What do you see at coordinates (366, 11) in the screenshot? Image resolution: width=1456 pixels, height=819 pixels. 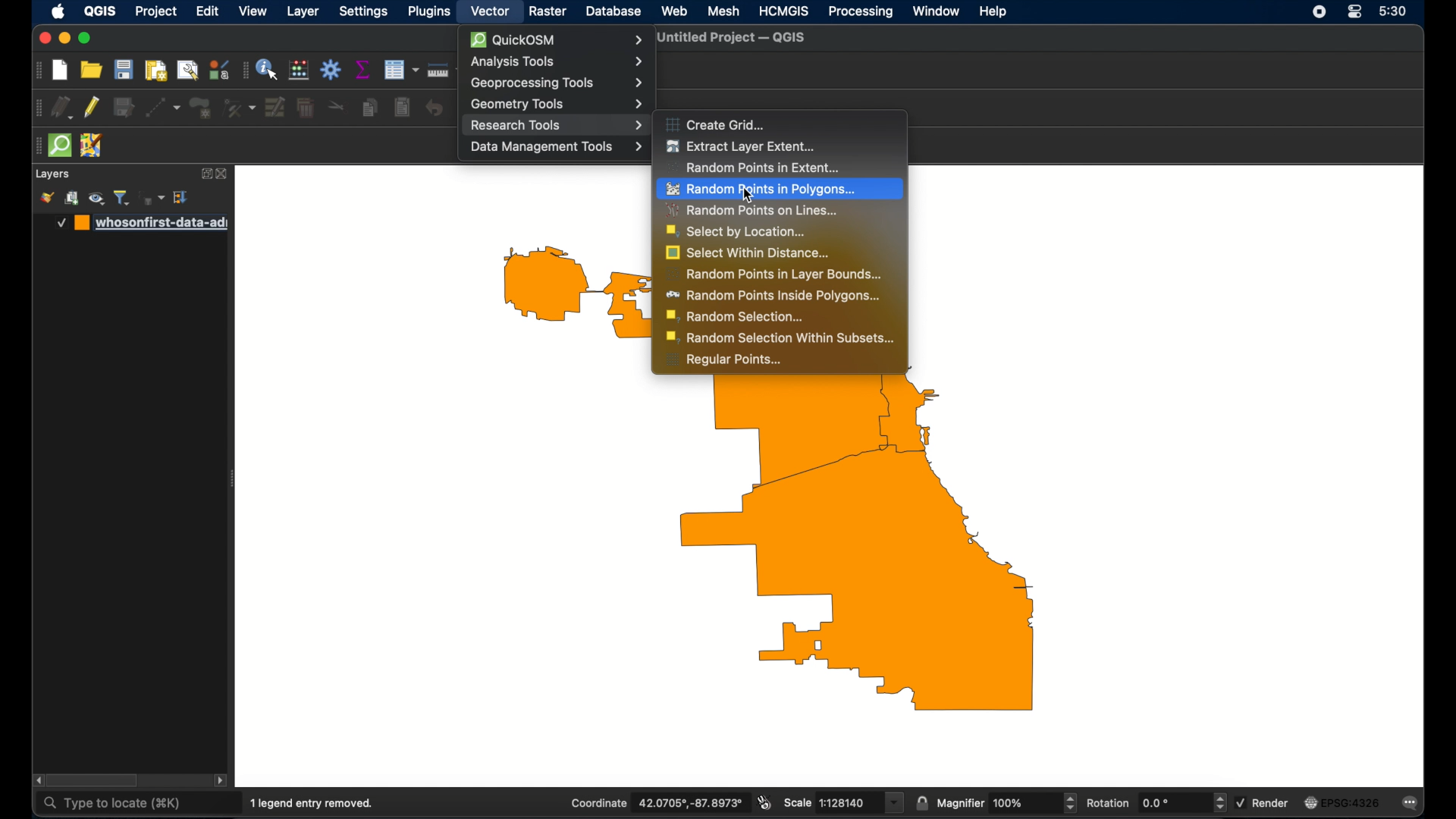 I see `settings` at bounding box center [366, 11].